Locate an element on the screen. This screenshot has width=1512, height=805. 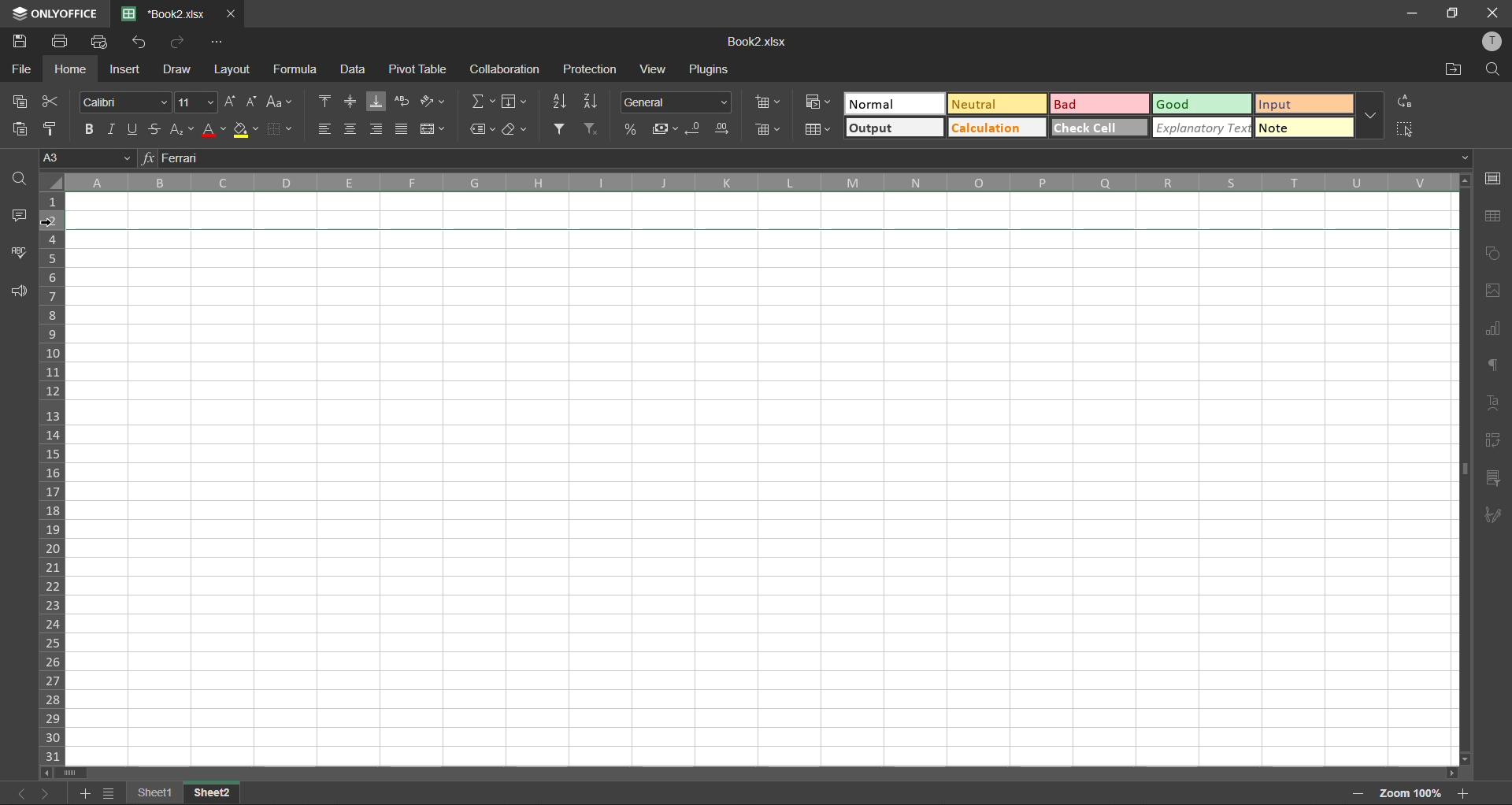
normal is located at coordinates (891, 103).